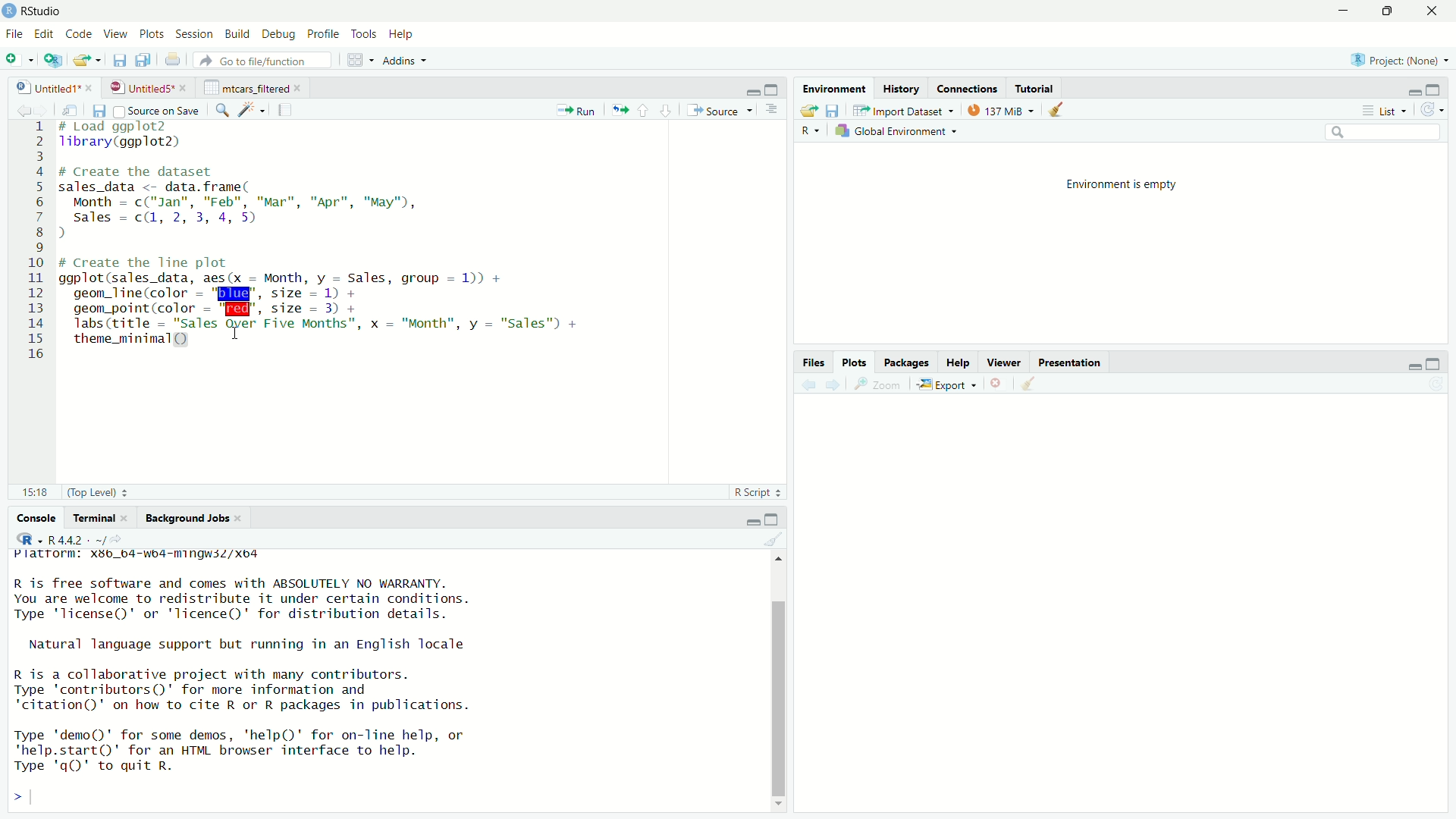 Image resolution: width=1456 pixels, height=819 pixels. Describe the element at coordinates (1394, 60) in the screenshot. I see `project(None)` at that location.